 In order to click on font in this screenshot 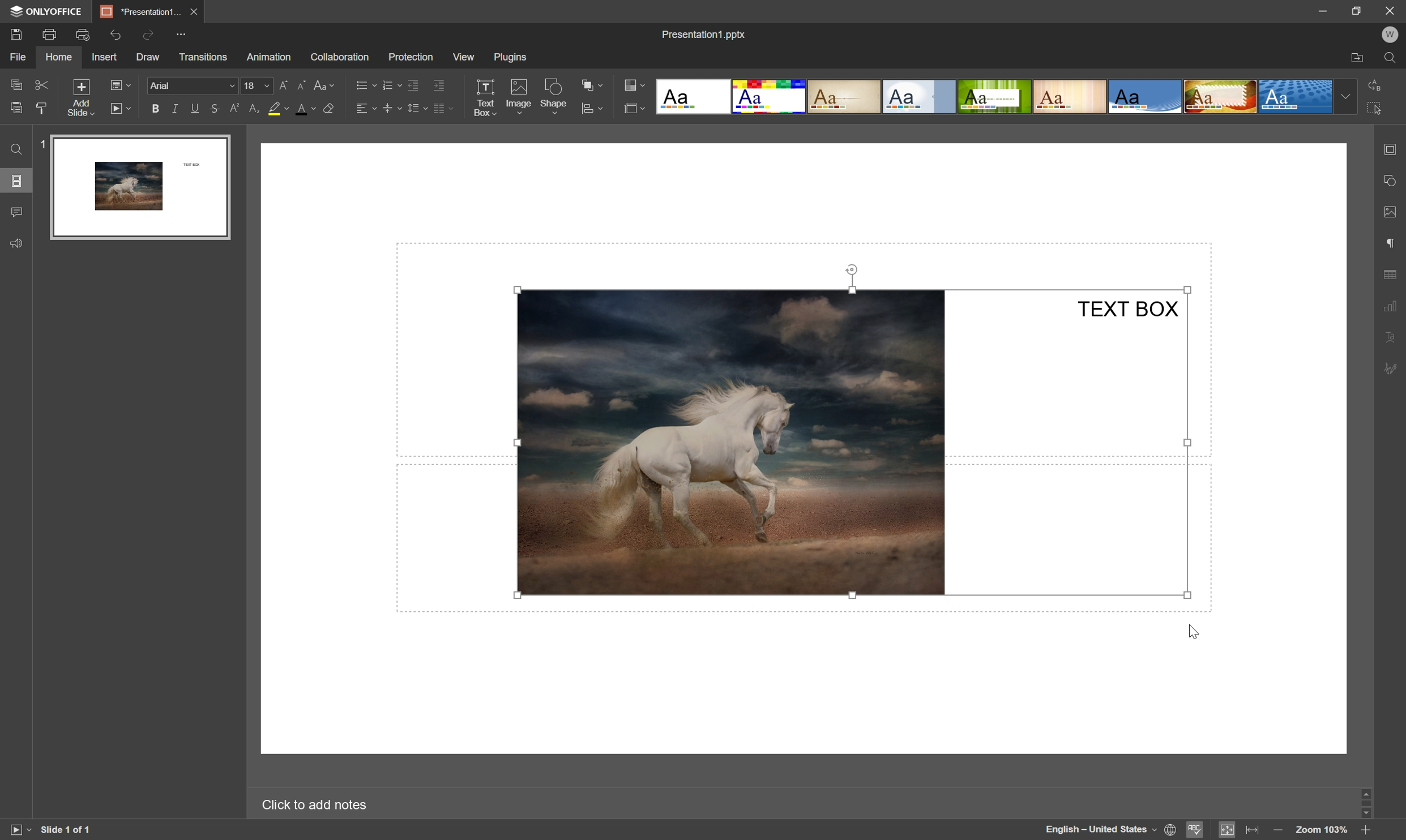, I will do `click(191, 84)`.